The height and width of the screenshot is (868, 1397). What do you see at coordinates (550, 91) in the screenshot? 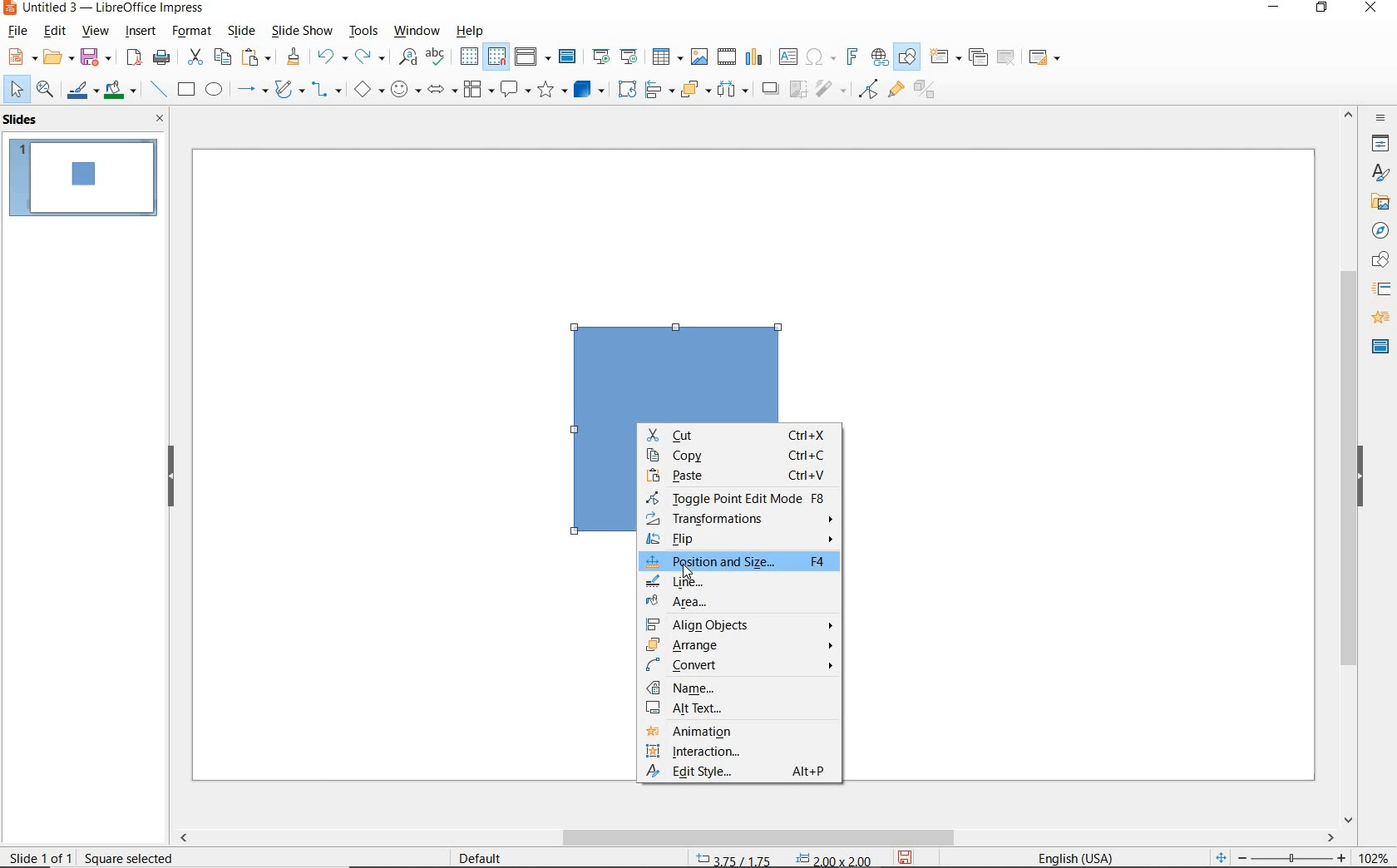
I see `stars and banners` at bounding box center [550, 91].